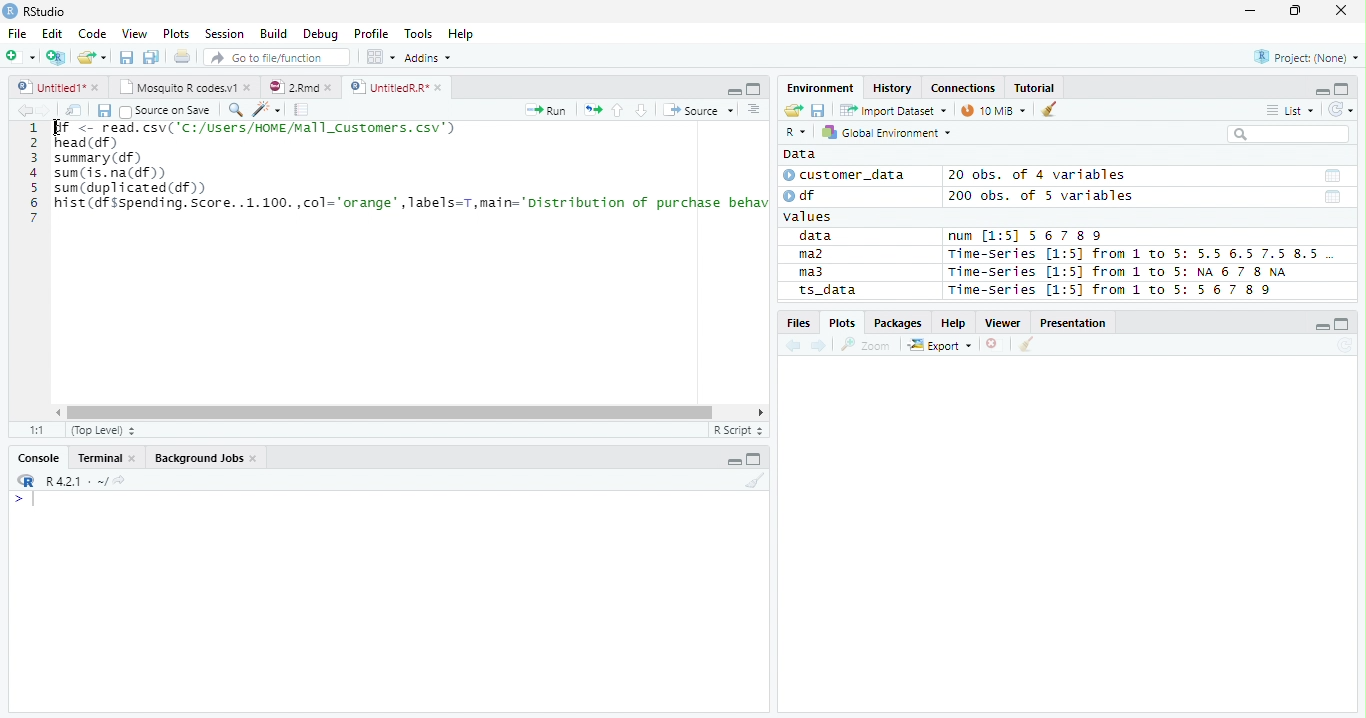 The height and width of the screenshot is (718, 1366). Describe the element at coordinates (33, 175) in the screenshot. I see `Row Number` at that location.